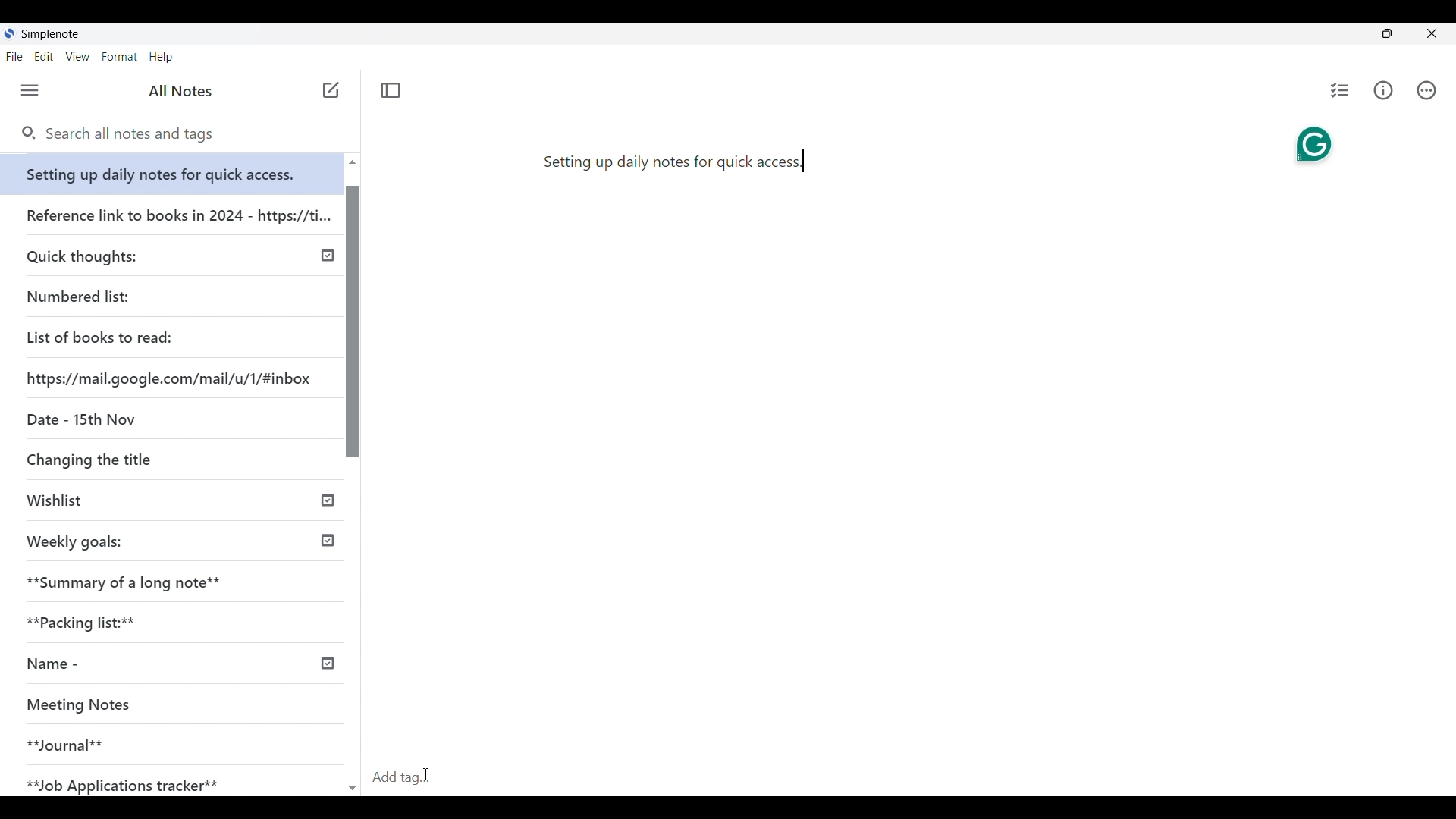  Describe the element at coordinates (1432, 33) in the screenshot. I see `Close ` at that location.